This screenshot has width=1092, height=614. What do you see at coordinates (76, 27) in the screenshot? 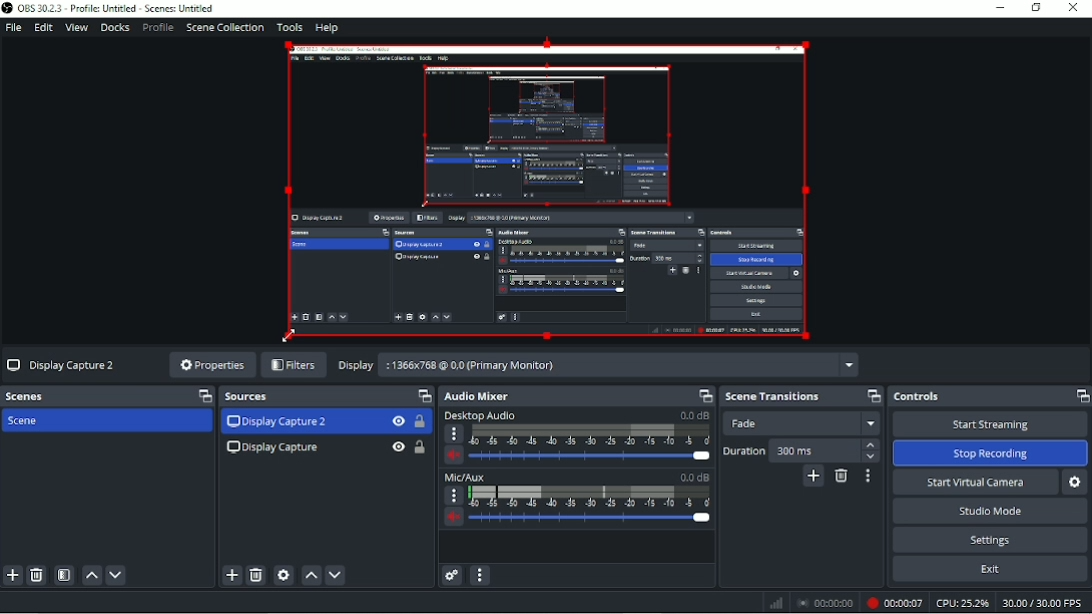
I see `View` at bounding box center [76, 27].